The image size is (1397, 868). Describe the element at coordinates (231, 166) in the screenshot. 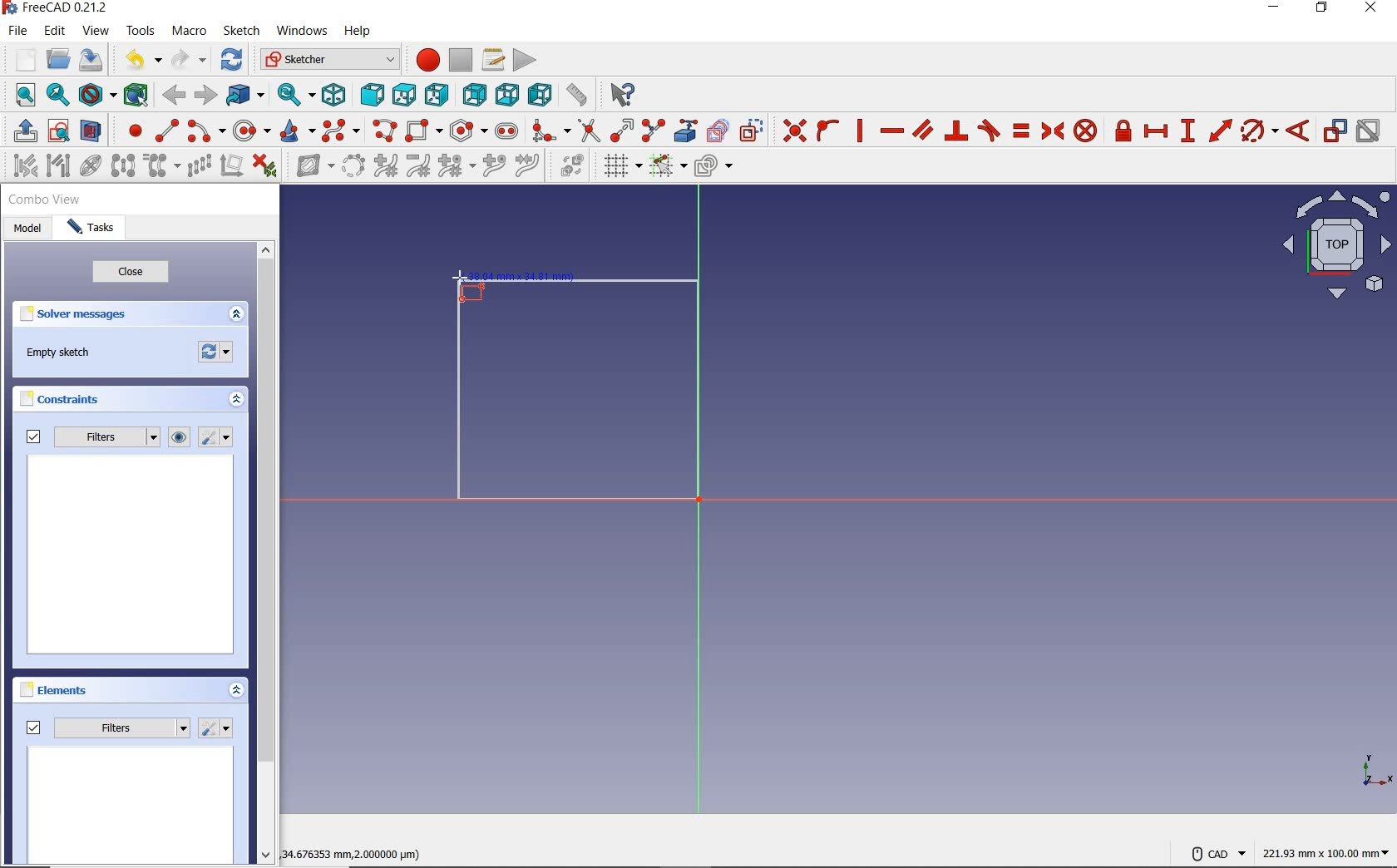

I see `remove axes alignment` at that location.